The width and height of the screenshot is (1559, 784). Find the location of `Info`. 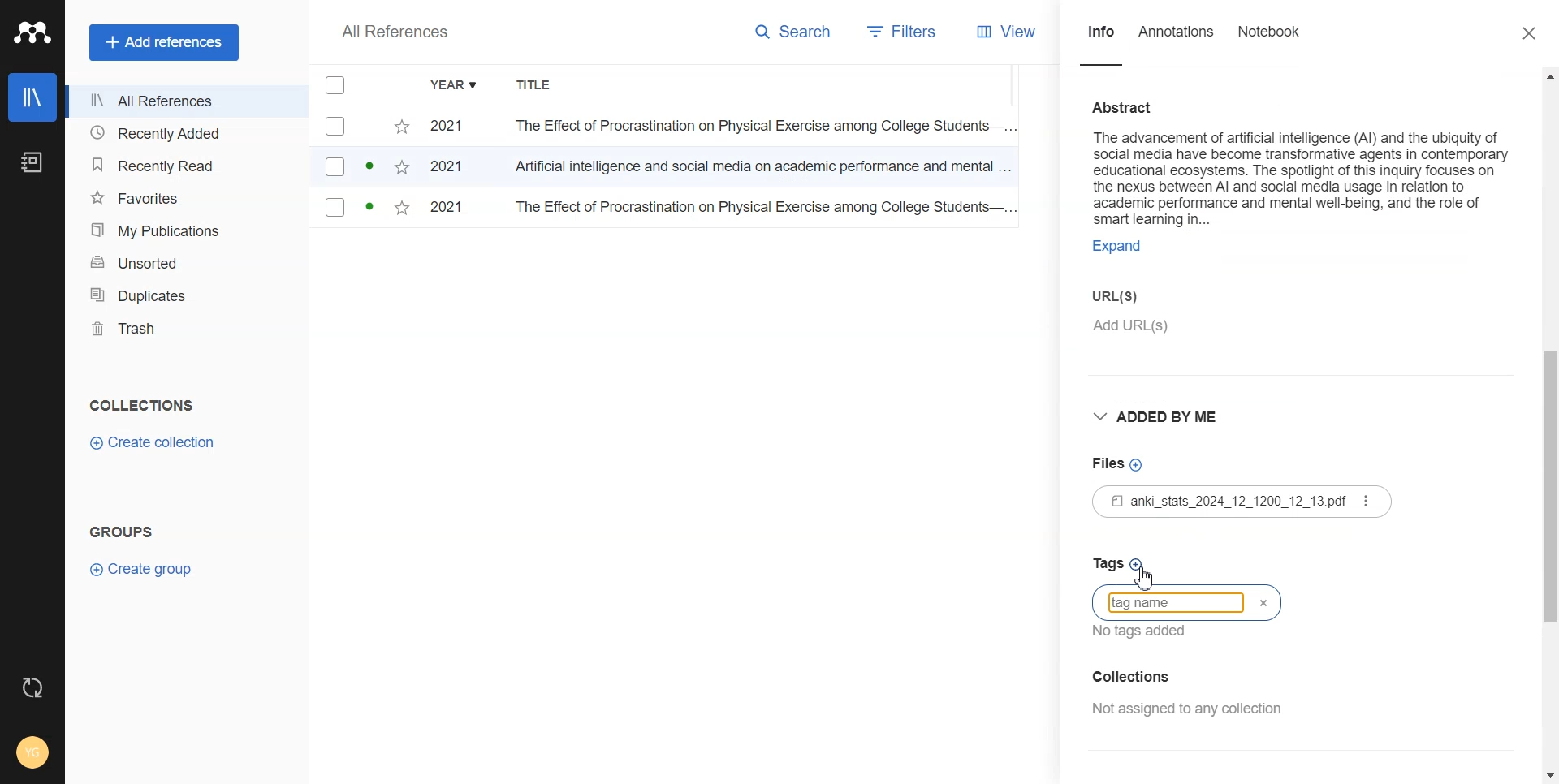

Info is located at coordinates (1101, 40).